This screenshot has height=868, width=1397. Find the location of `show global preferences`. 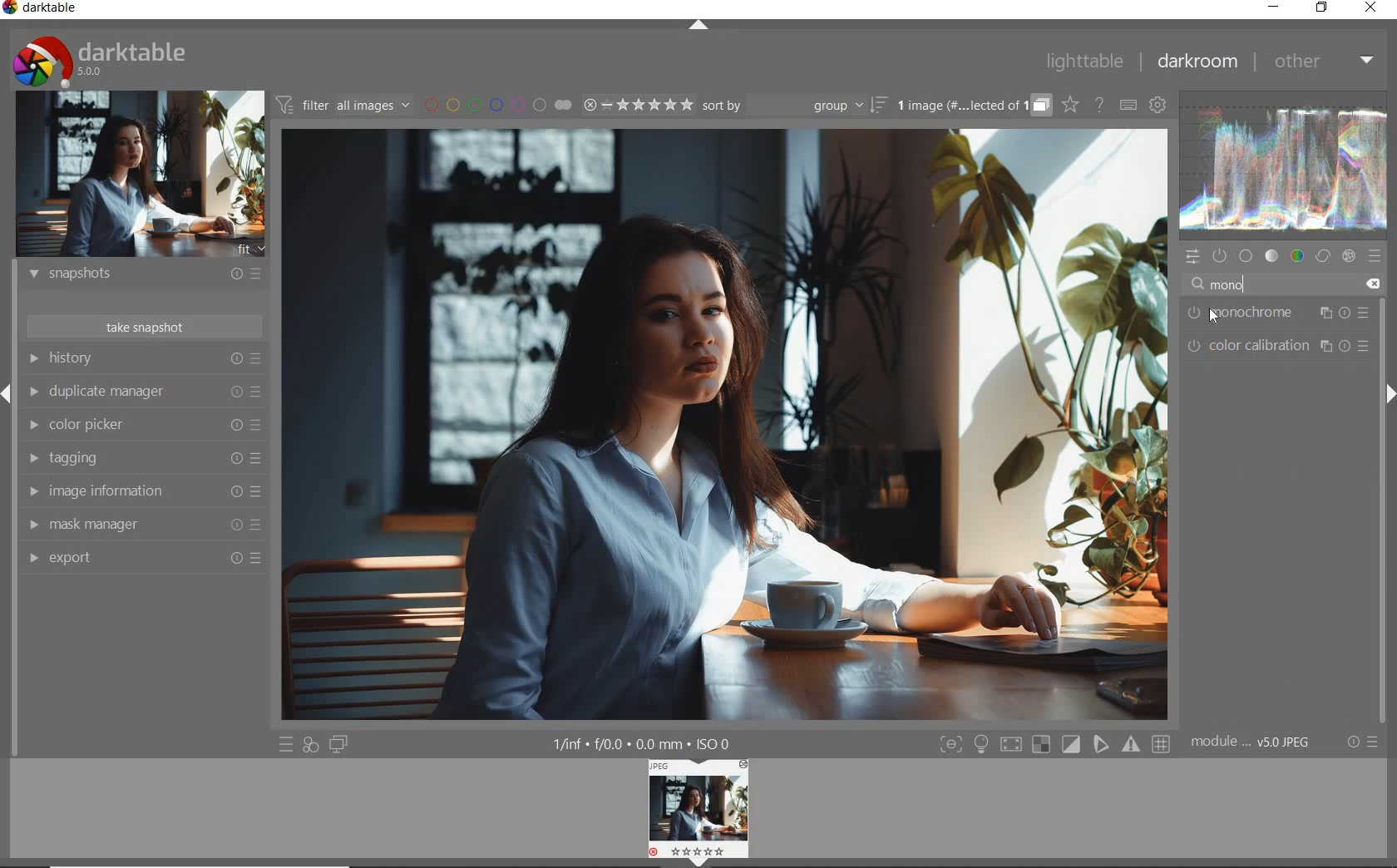

show global preferences is located at coordinates (1158, 106).